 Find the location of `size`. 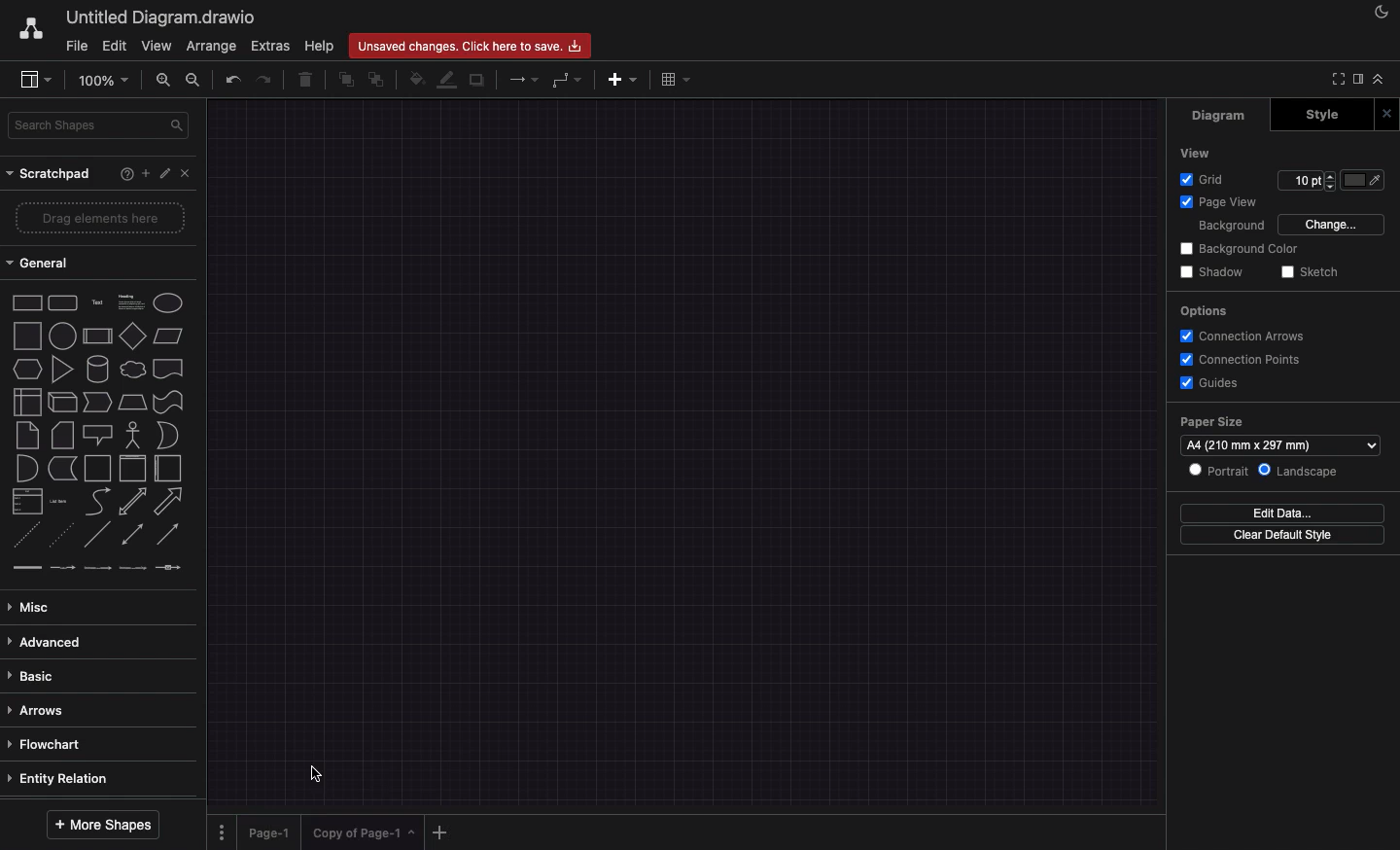

size is located at coordinates (1279, 445).